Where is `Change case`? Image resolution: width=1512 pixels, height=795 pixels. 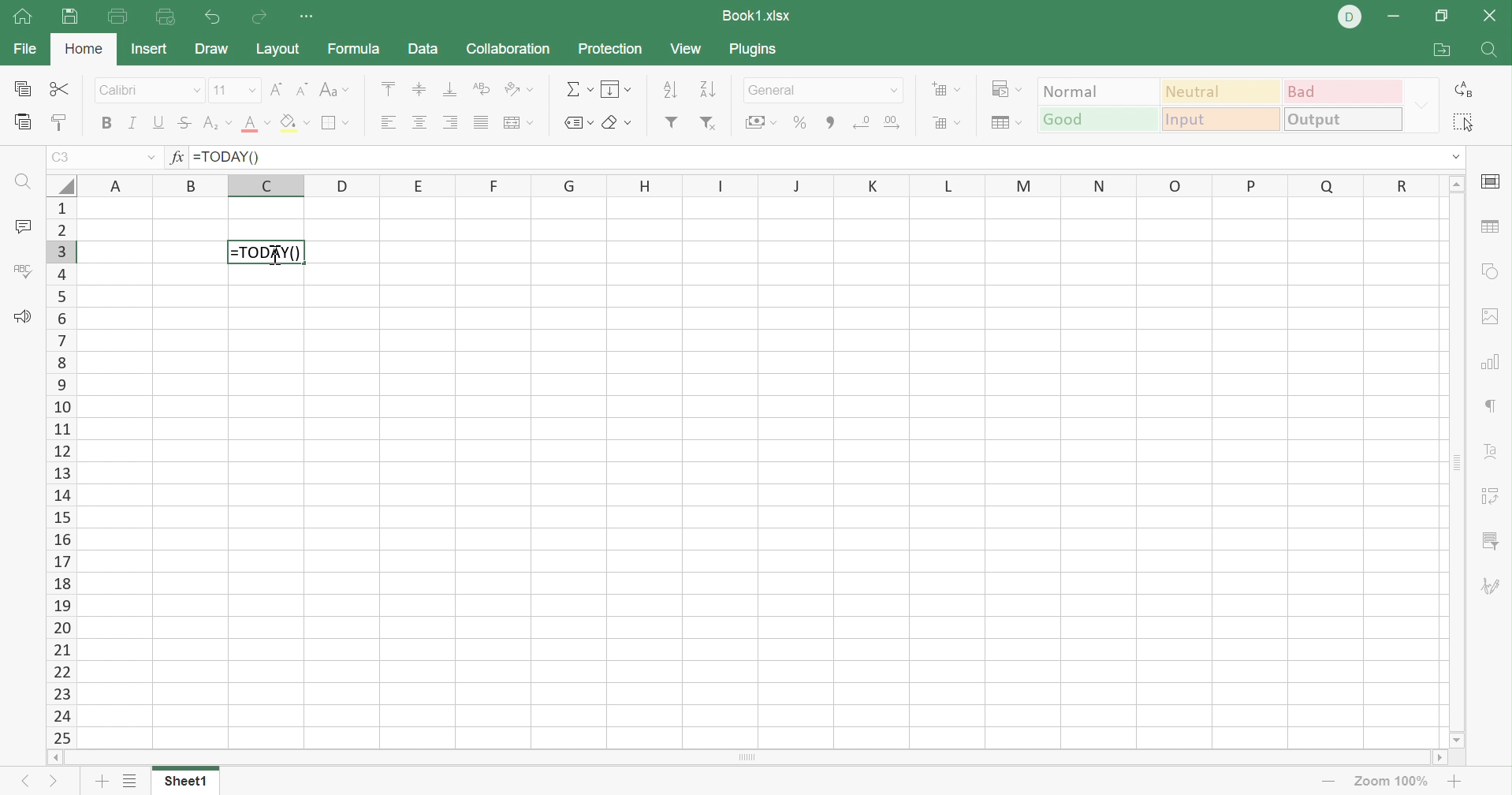
Change case is located at coordinates (335, 87).